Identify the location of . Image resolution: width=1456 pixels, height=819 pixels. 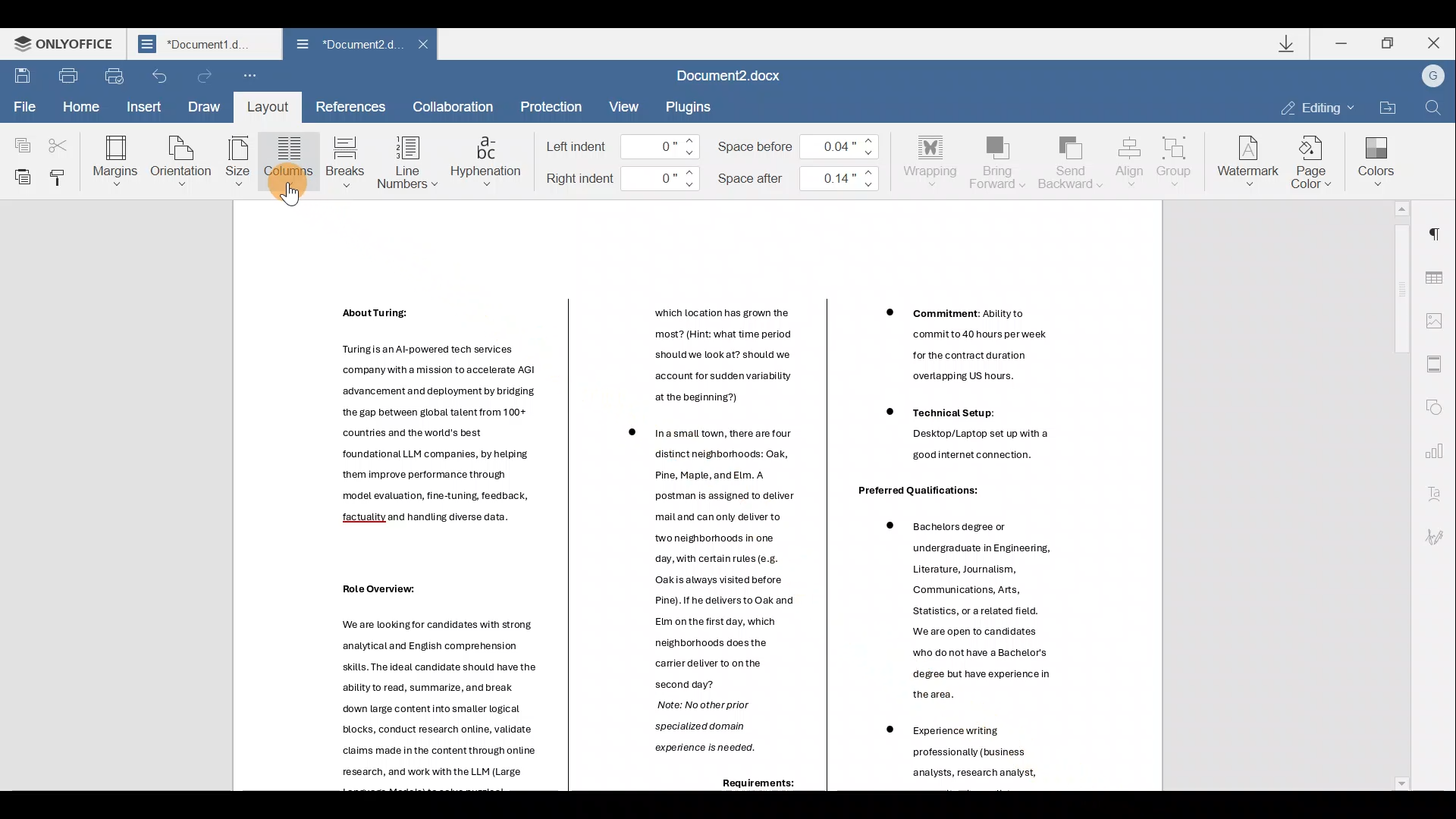
(956, 343).